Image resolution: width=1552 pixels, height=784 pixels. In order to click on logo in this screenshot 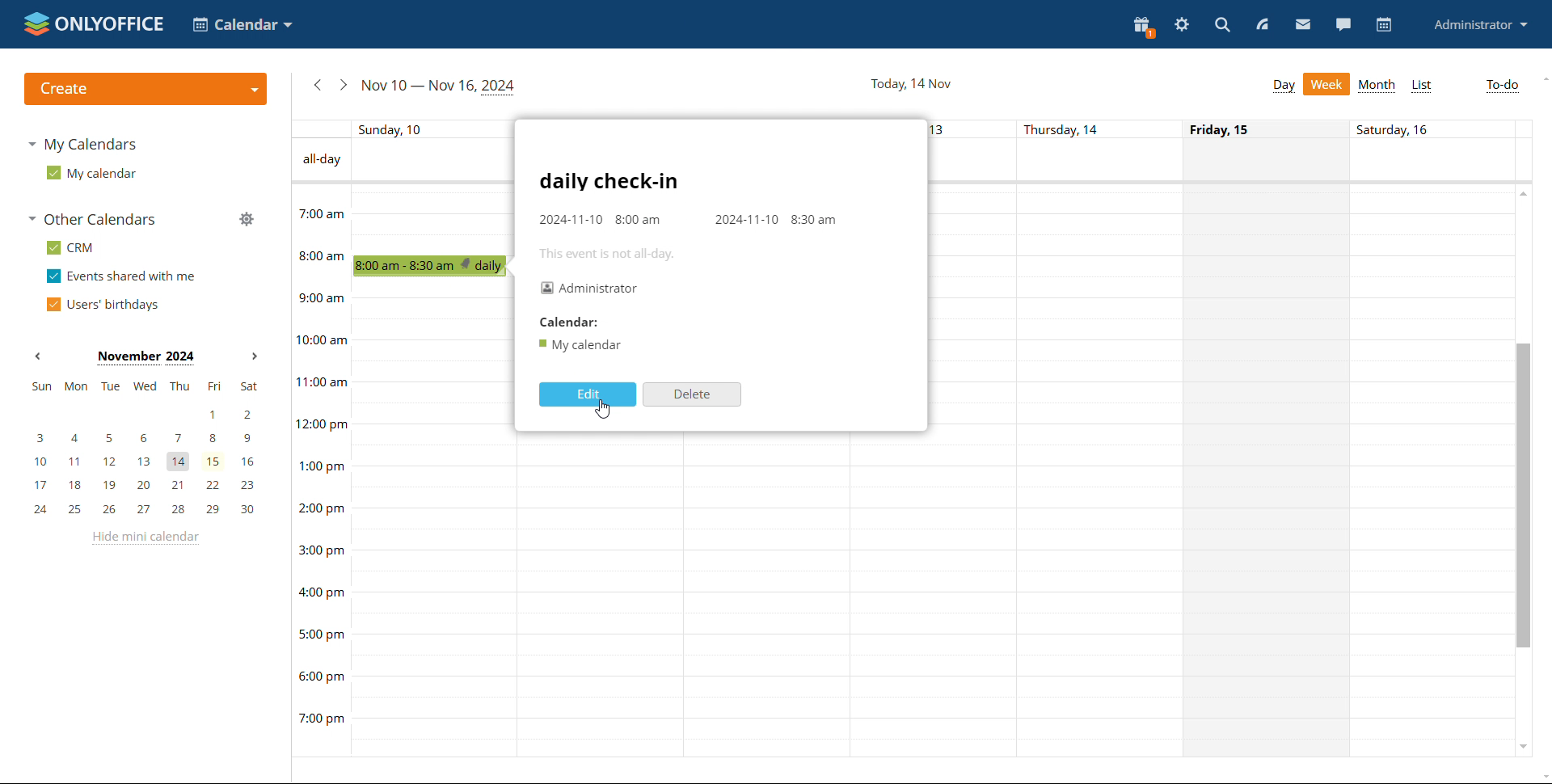, I will do `click(94, 23)`.